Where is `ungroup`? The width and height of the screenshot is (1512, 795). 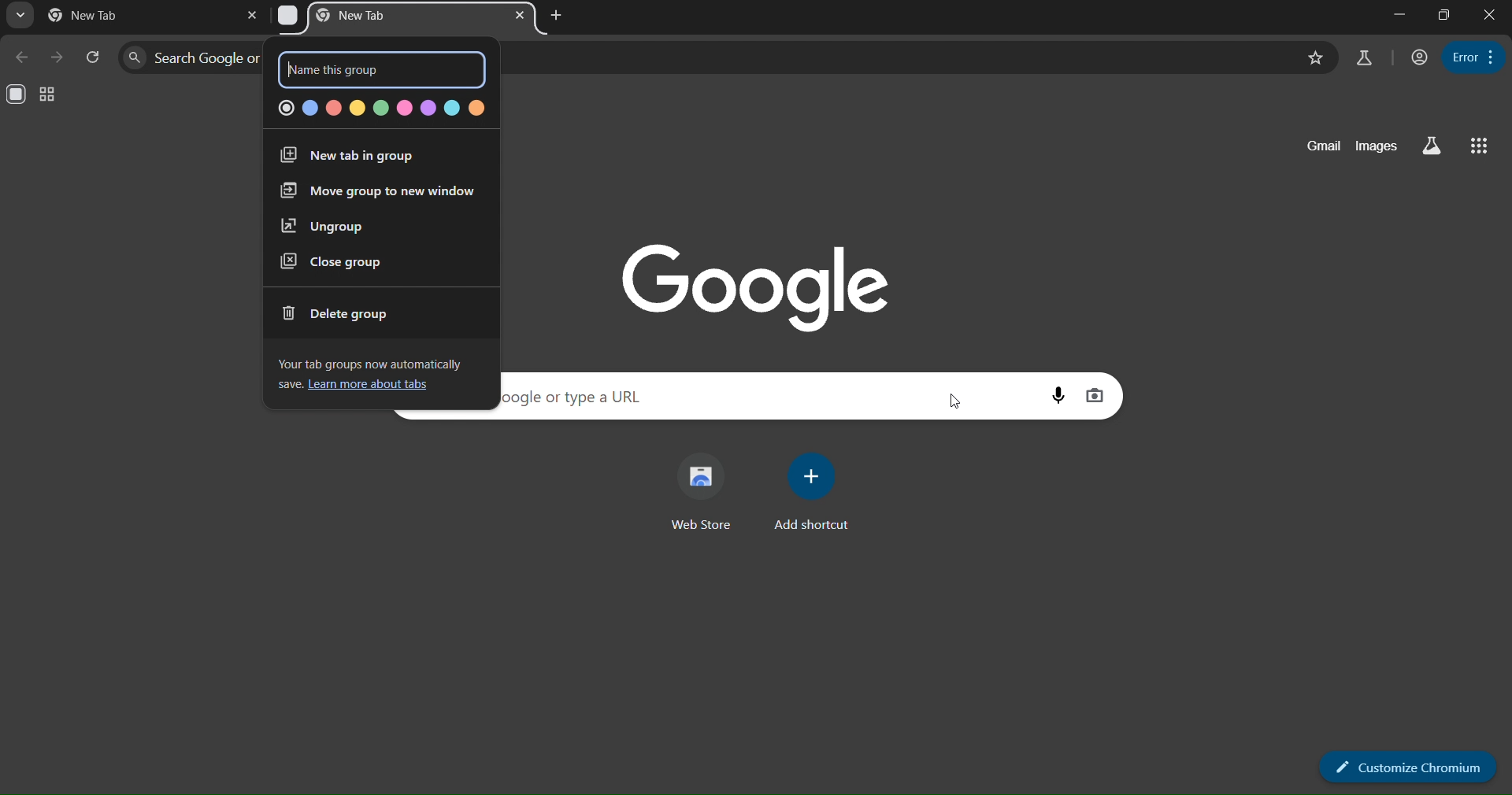
ungroup is located at coordinates (326, 225).